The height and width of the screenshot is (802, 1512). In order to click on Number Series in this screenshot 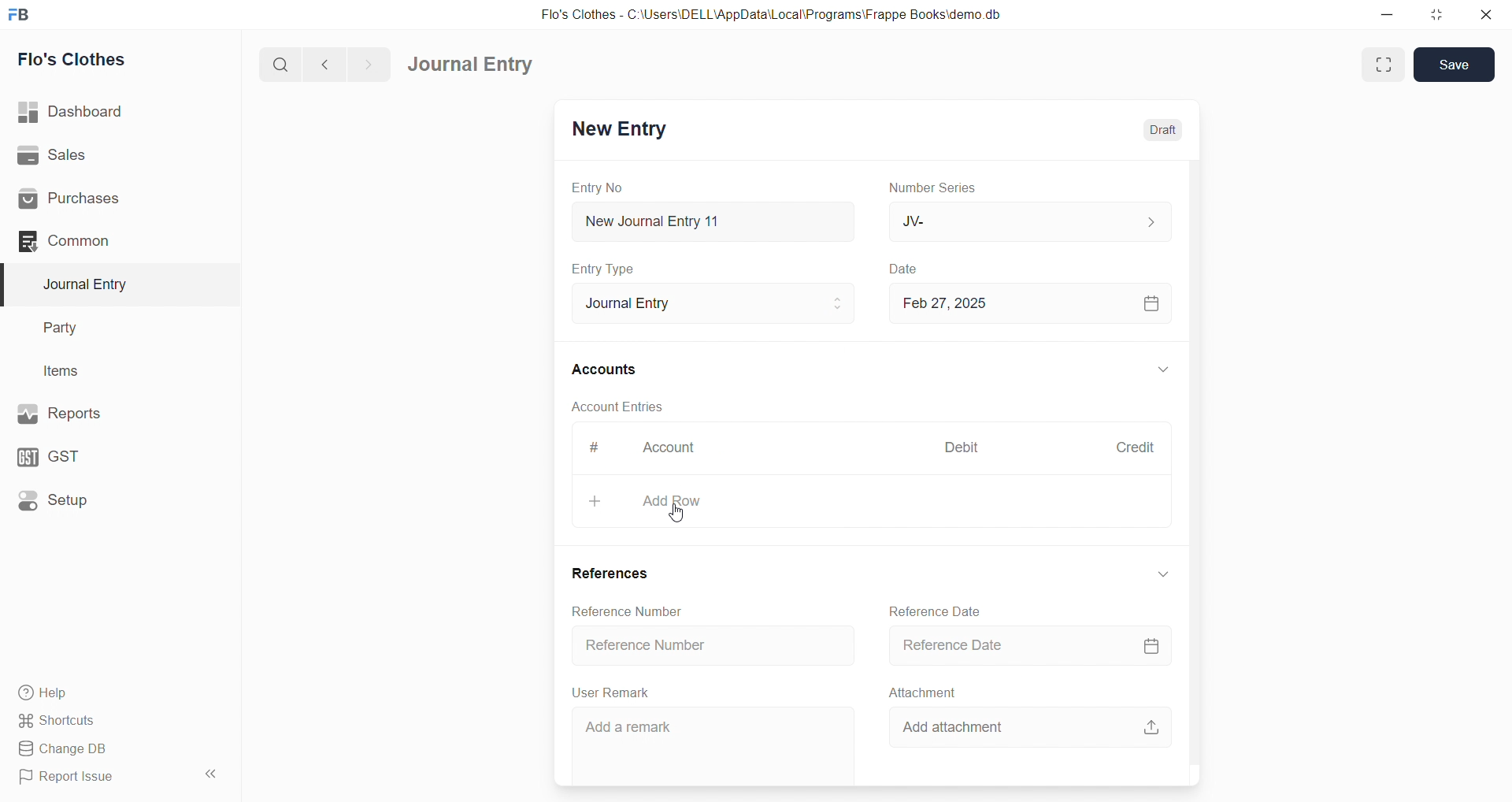, I will do `click(939, 188)`.